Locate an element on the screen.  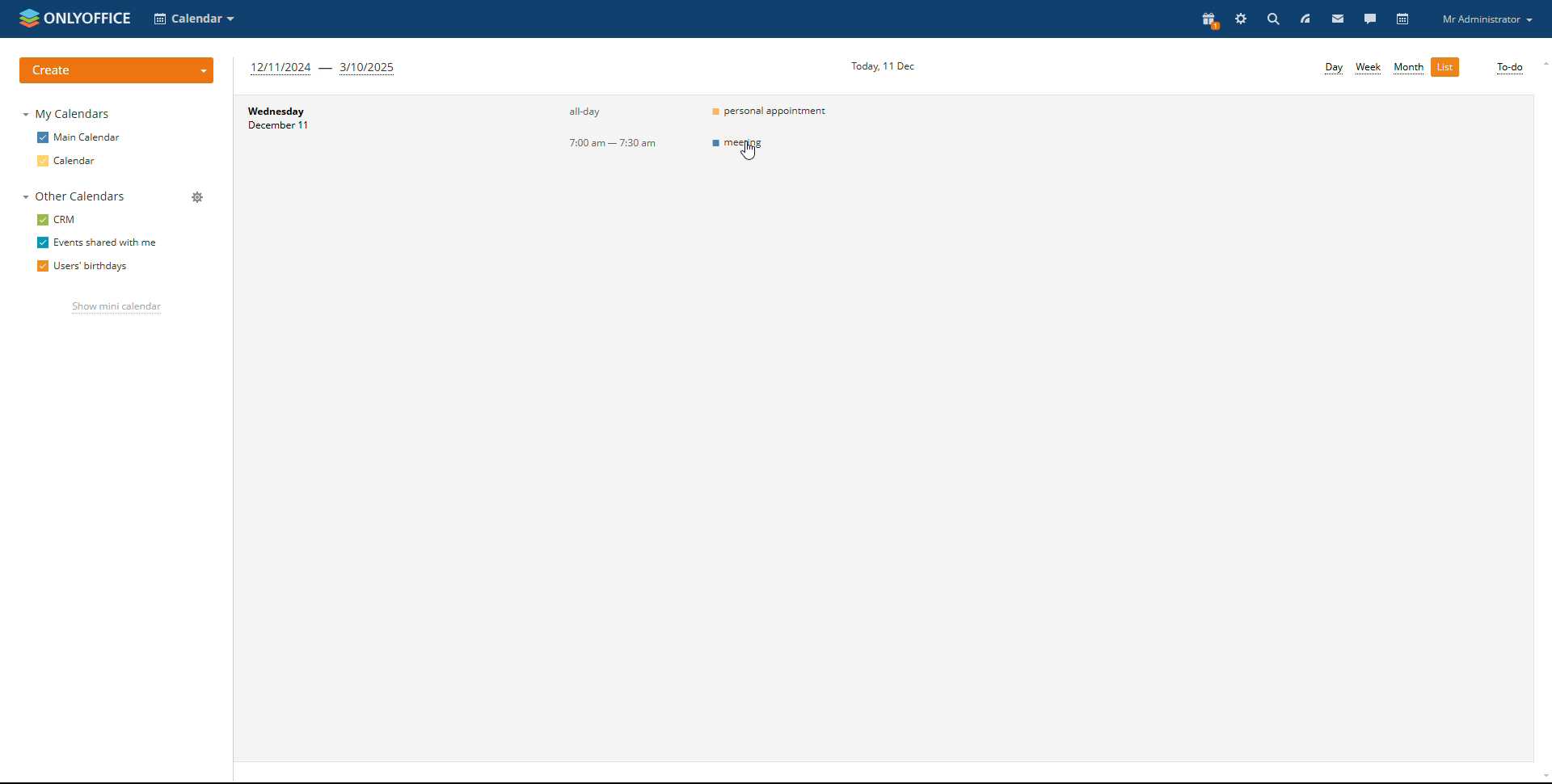
mail is located at coordinates (1339, 18).